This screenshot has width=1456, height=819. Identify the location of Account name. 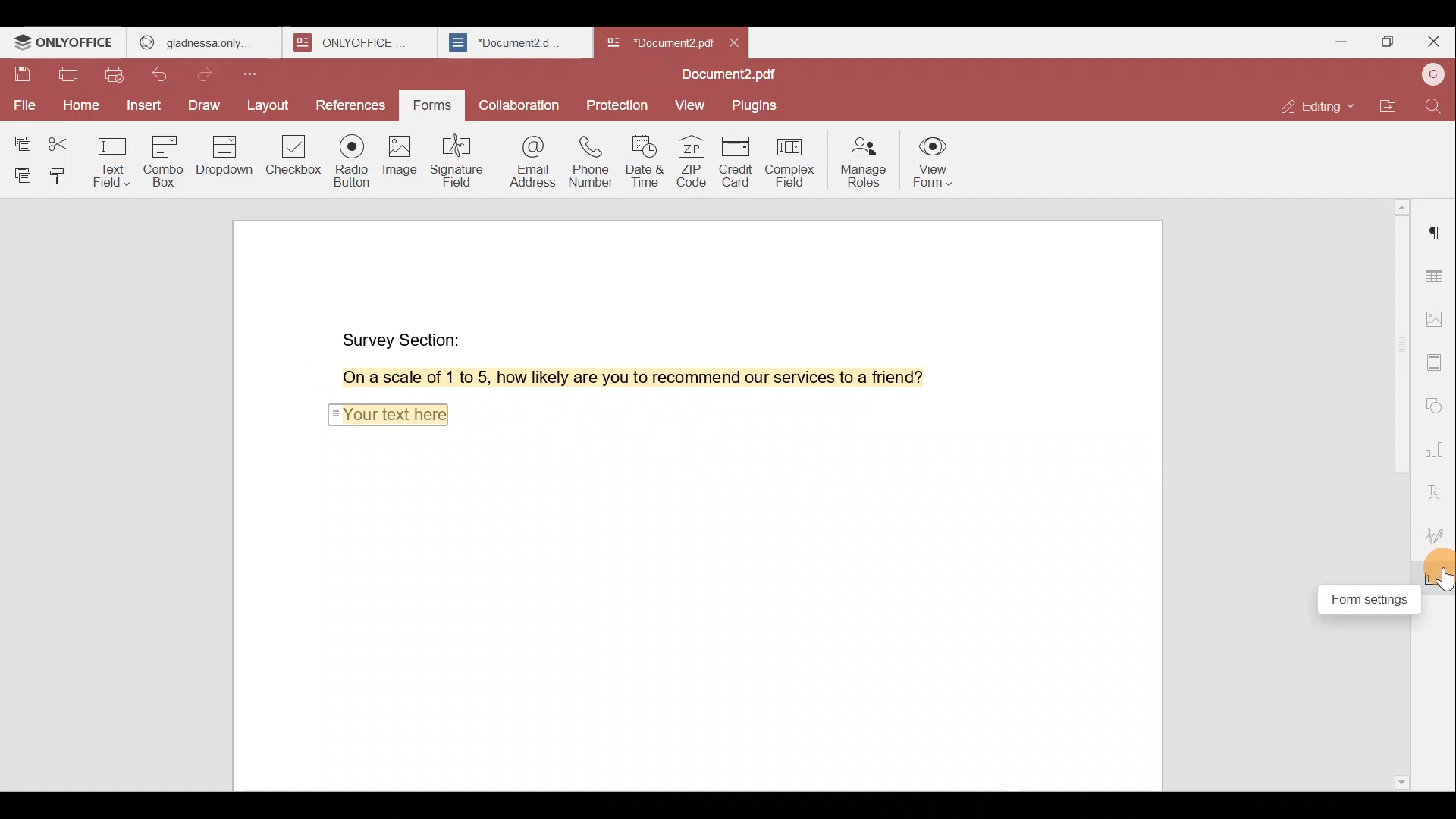
(1432, 76).